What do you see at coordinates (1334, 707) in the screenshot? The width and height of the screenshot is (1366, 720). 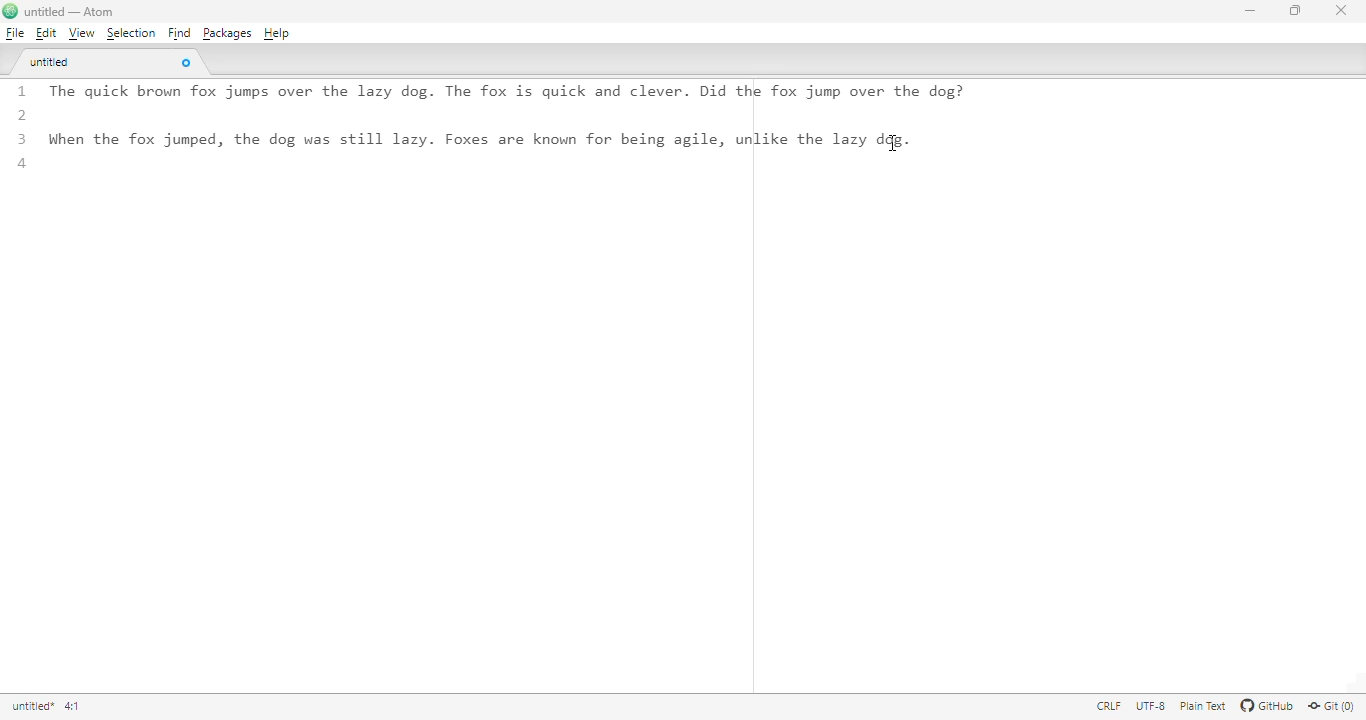 I see `git(0)` at bounding box center [1334, 707].